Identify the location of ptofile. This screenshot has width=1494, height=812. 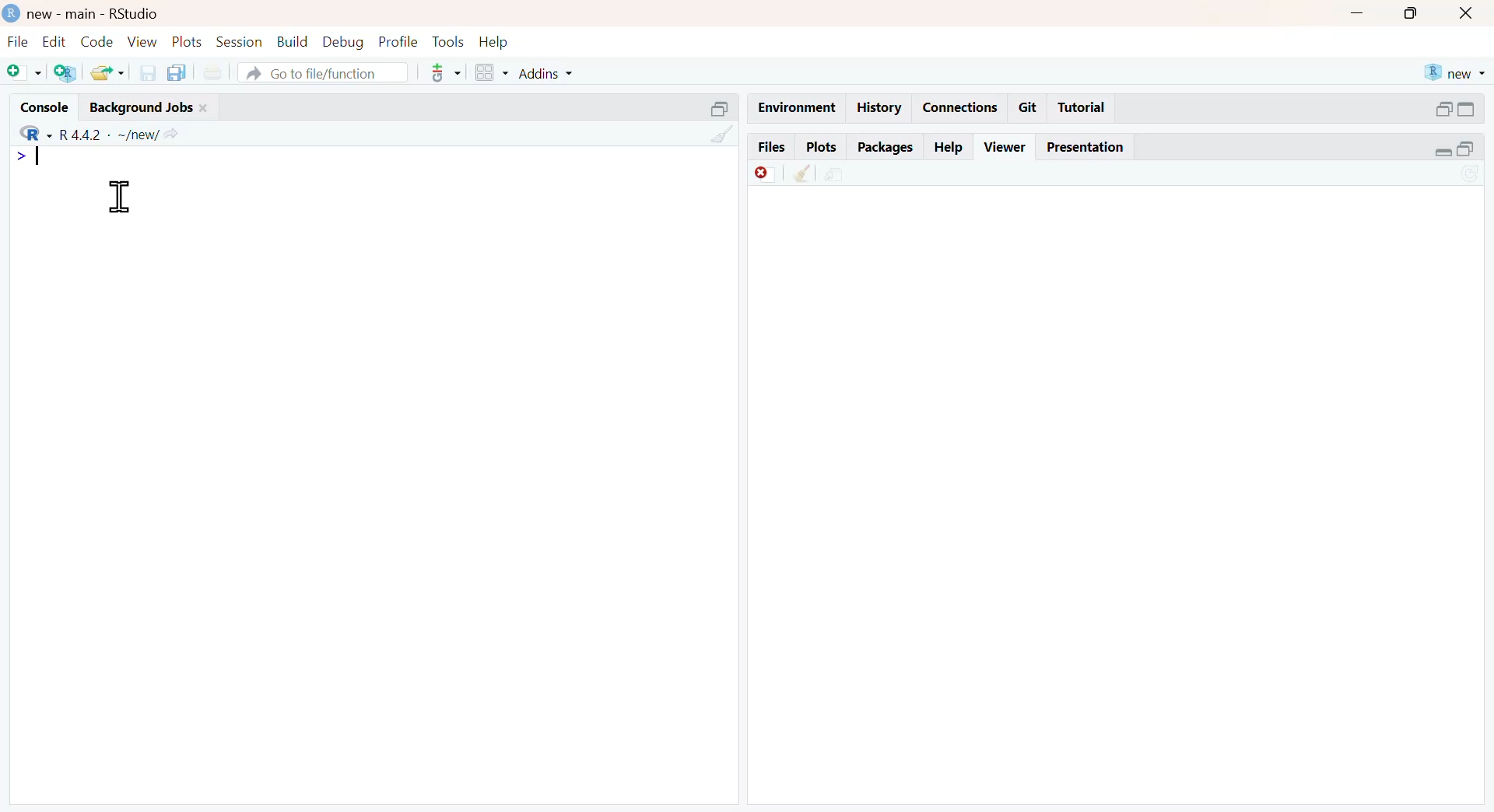
(400, 42).